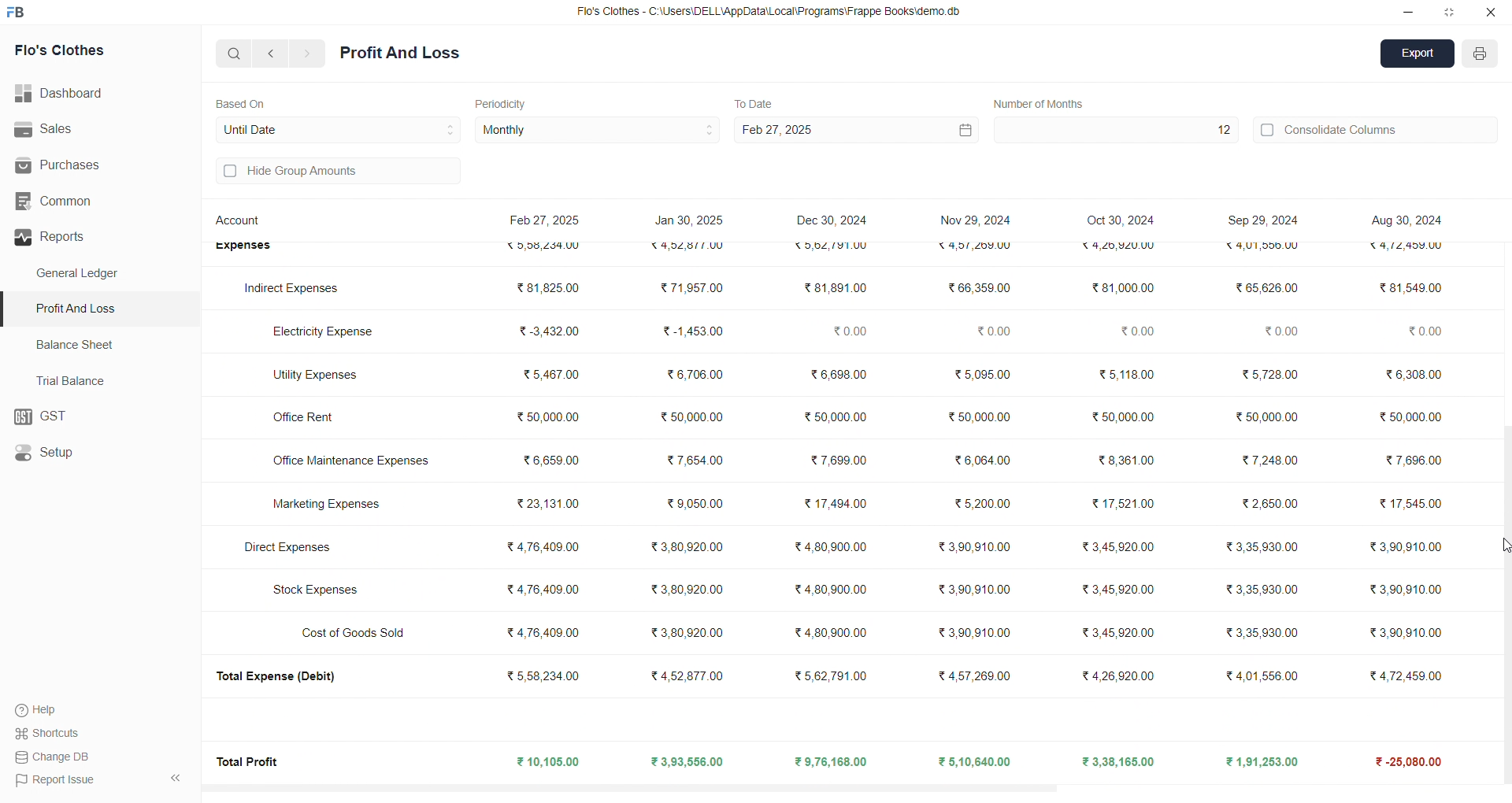 This screenshot has height=803, width=1512. What do you see at coordinates (994, 331) in the screenshot?
I see `₹0.00` at bounding box center [994, 331].